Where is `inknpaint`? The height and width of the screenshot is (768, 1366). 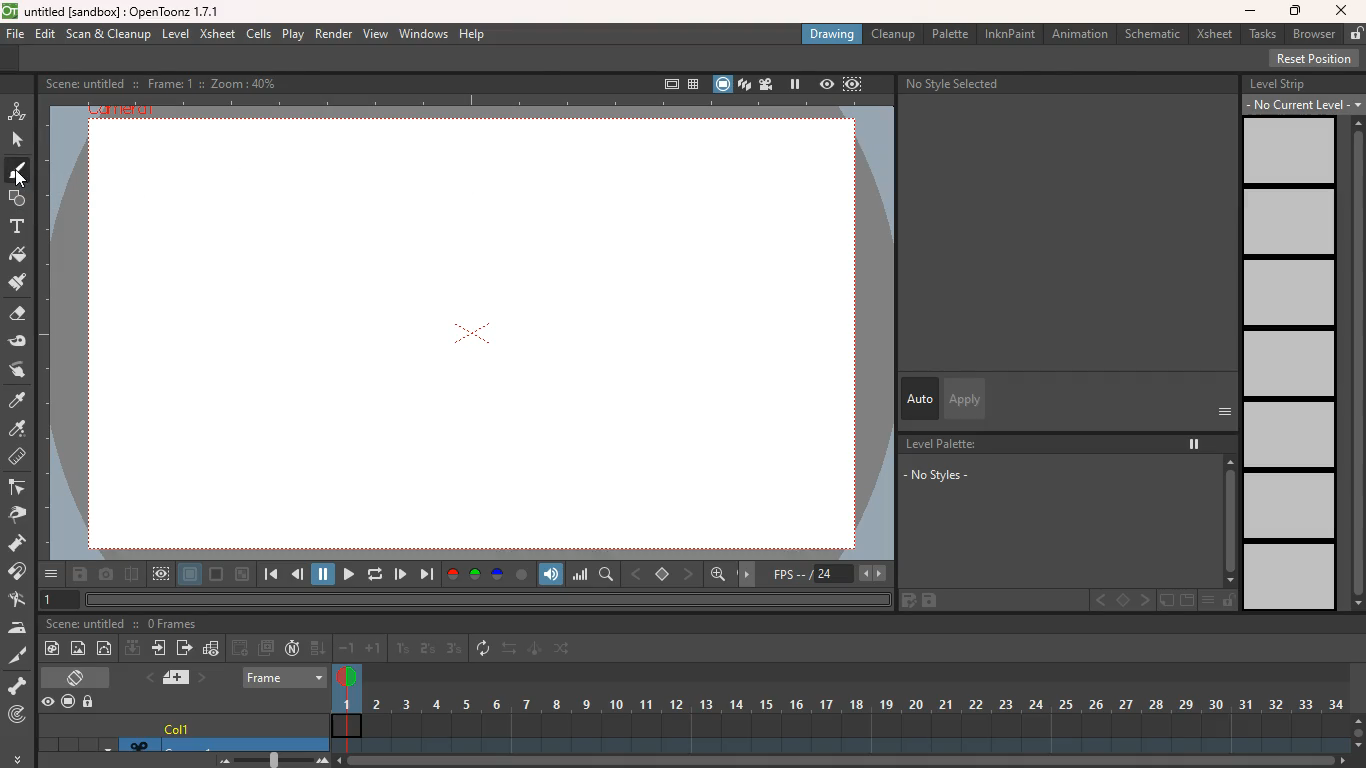 inknpaint is located at coordinates (1010, 34).